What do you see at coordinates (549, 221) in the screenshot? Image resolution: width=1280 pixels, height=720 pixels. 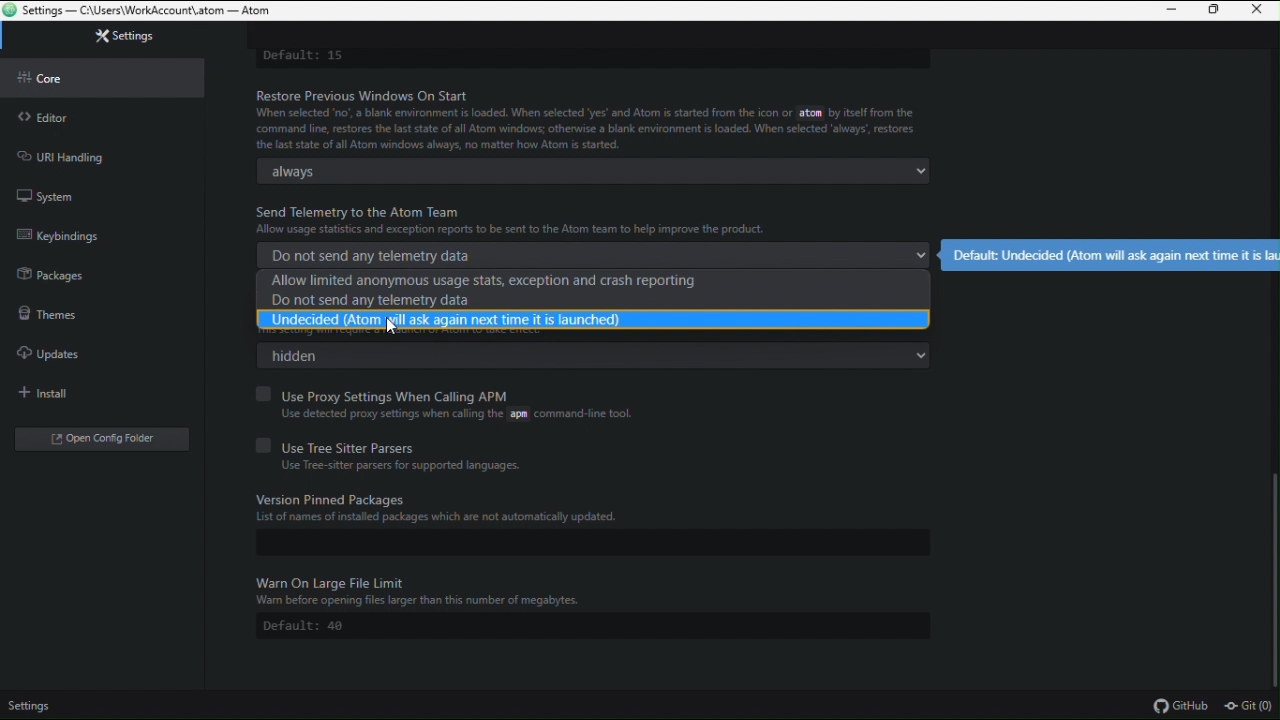 I see `Send Telemetry to the Atom Team Allow usage statistics and exception reports to be sent to the Atom to help improve the product` at bounding box center [549, 221].